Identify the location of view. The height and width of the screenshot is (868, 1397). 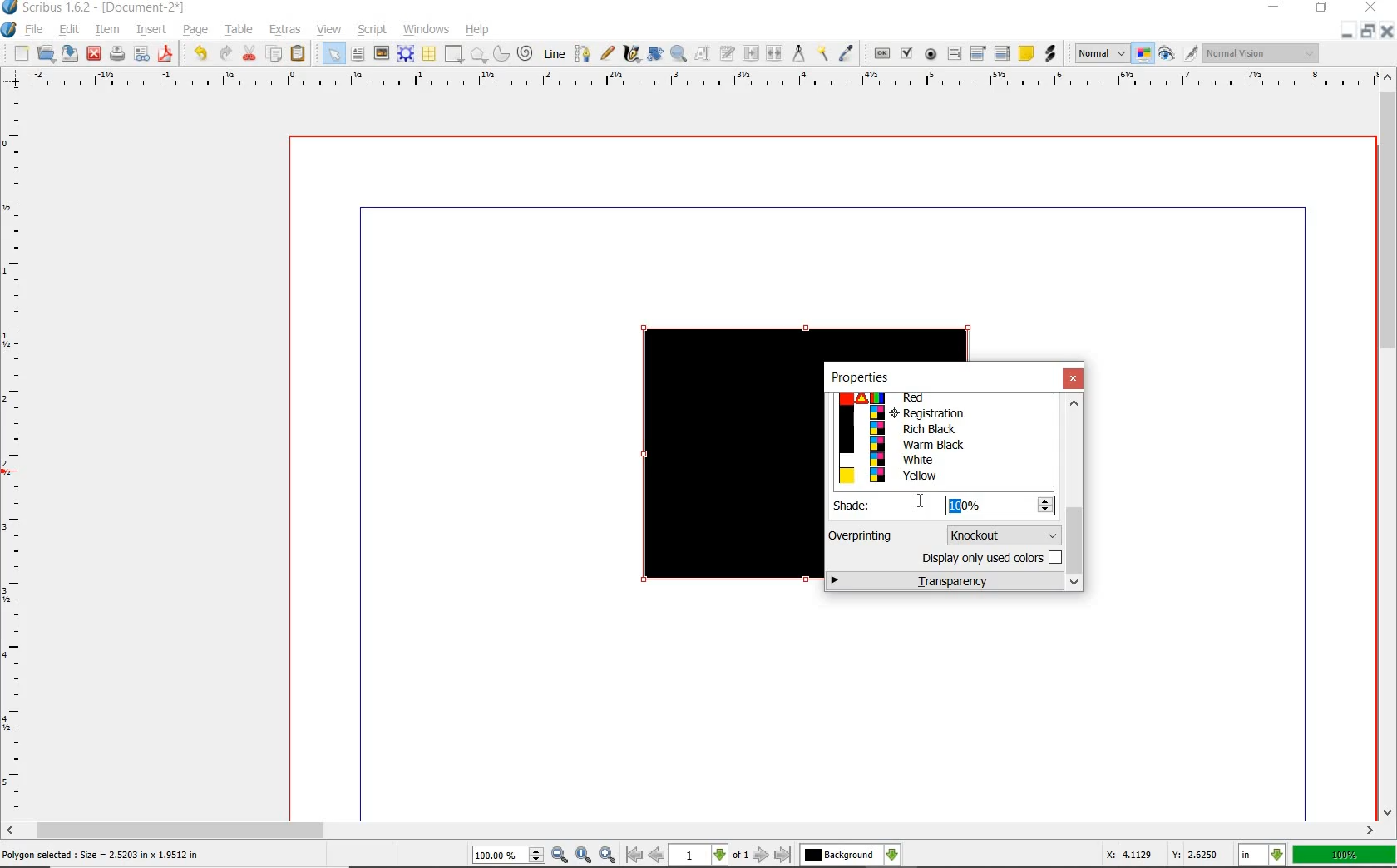
(329, 29).